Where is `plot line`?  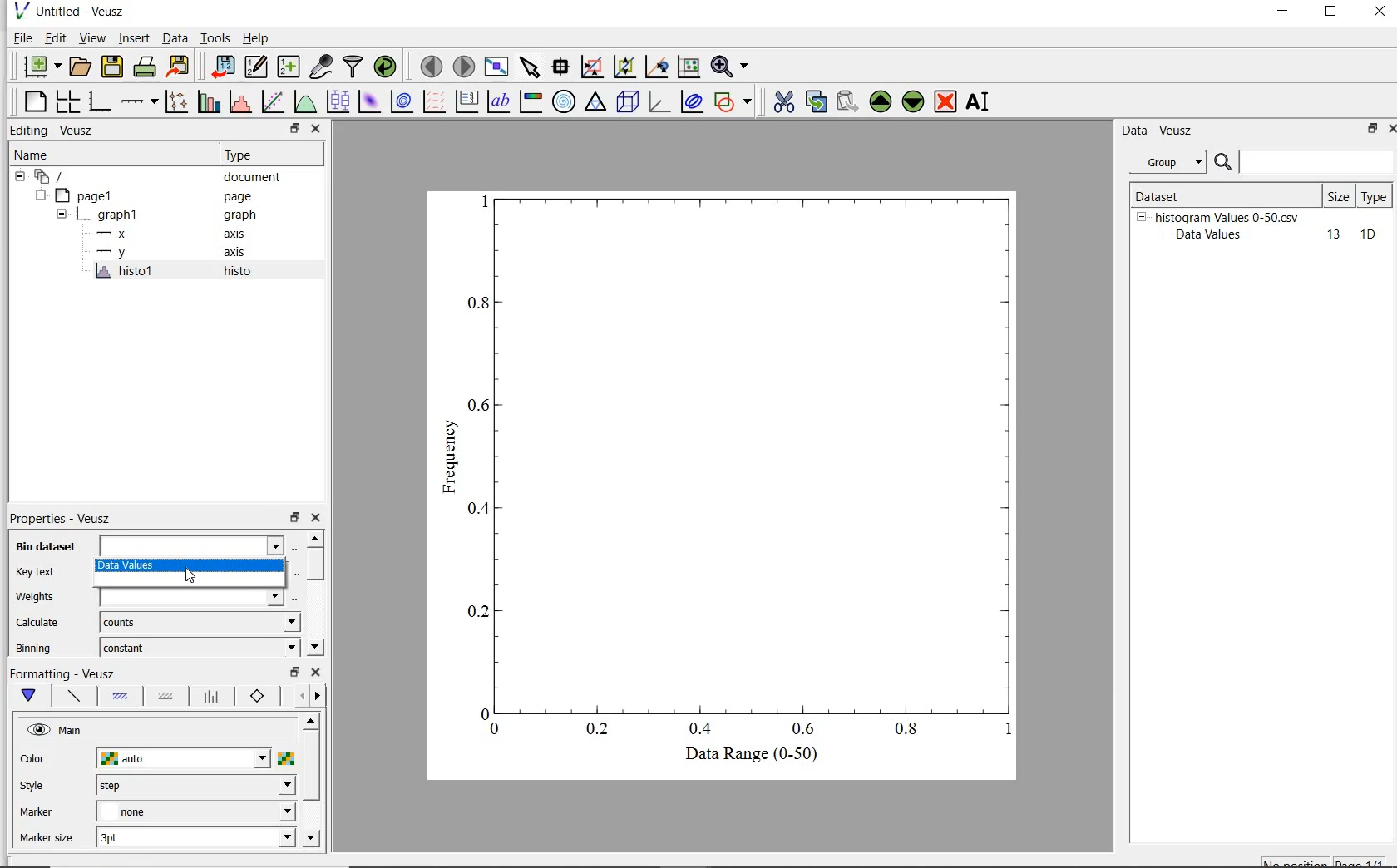
plot line is located at coordinates (73, 698).